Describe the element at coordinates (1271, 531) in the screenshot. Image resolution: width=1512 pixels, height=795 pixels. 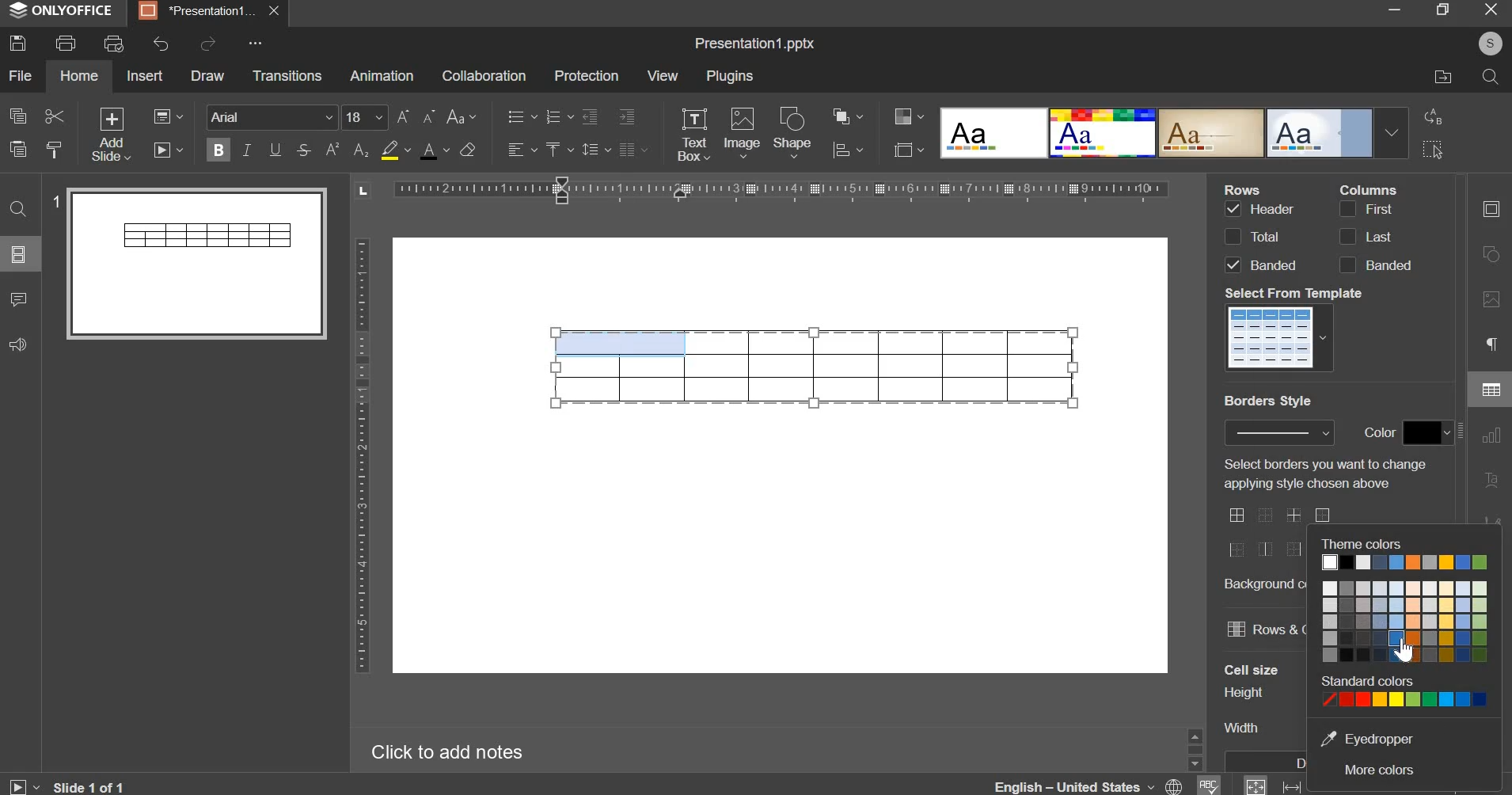
I see `border style` at that location.